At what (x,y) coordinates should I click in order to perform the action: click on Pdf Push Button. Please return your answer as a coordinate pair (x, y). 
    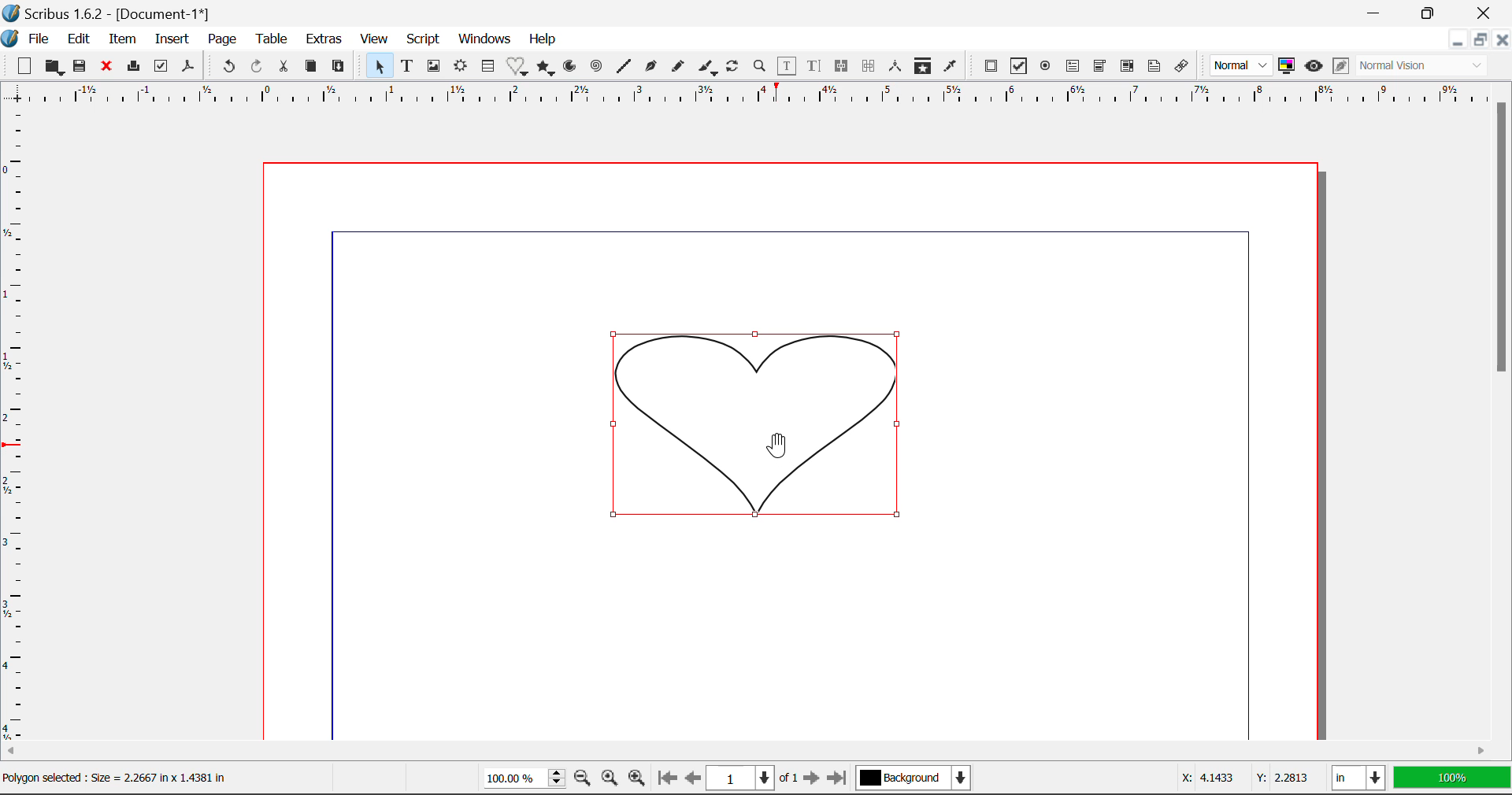
    Looking at the image, I should click on (991, 66).